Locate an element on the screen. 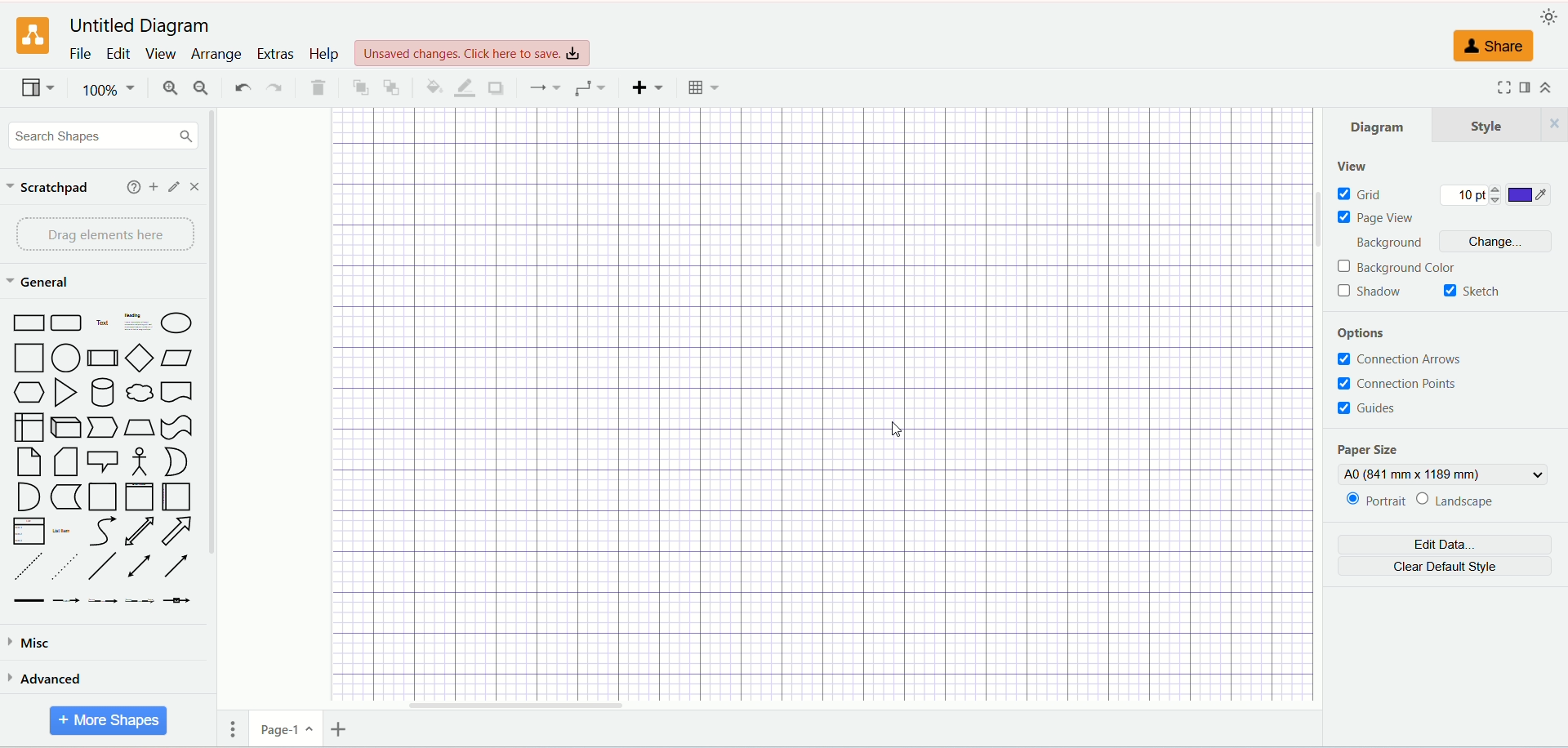  grid is located at coordinates (1361, 194).